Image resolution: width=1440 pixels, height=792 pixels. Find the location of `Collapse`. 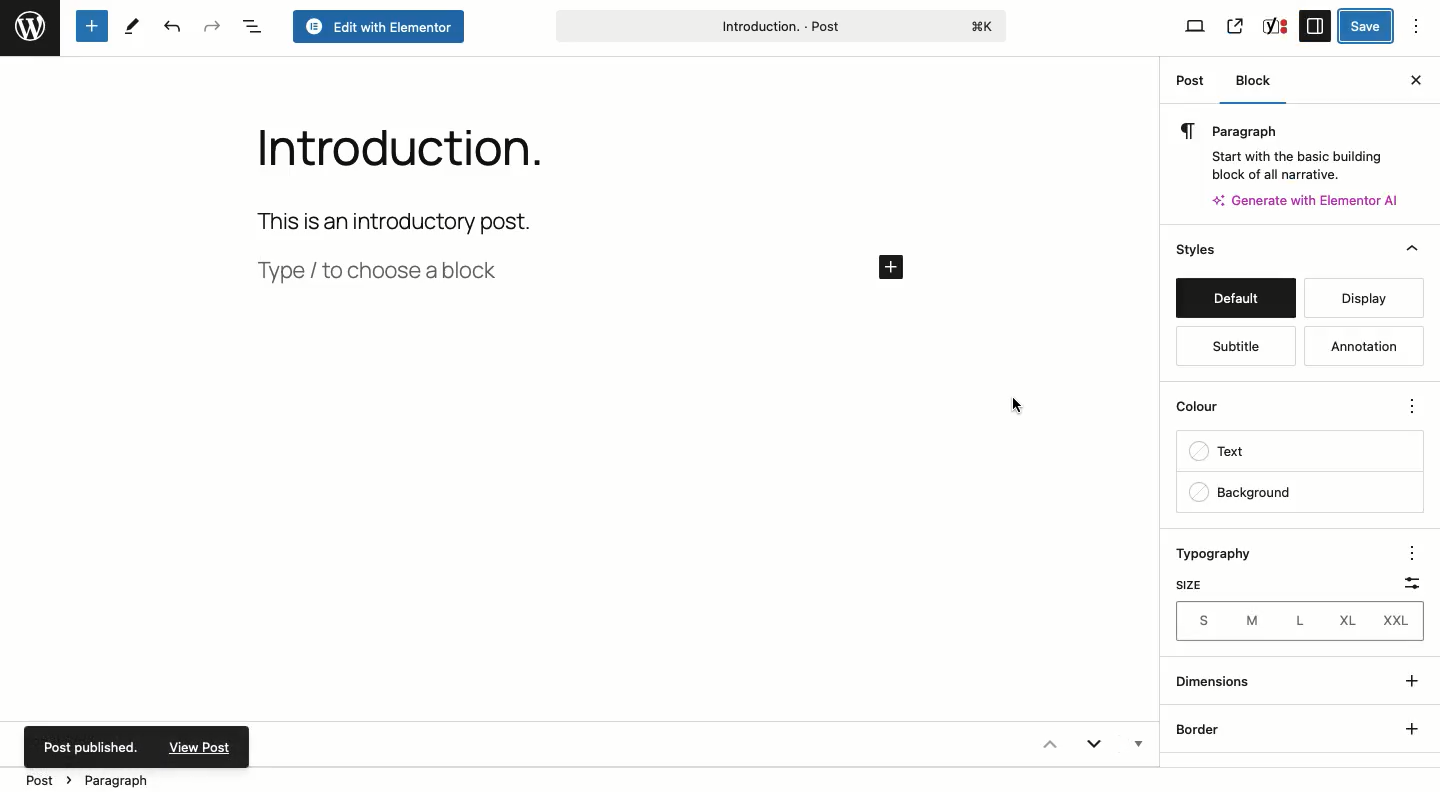

Collapse is located at coordinates (1412, 249).